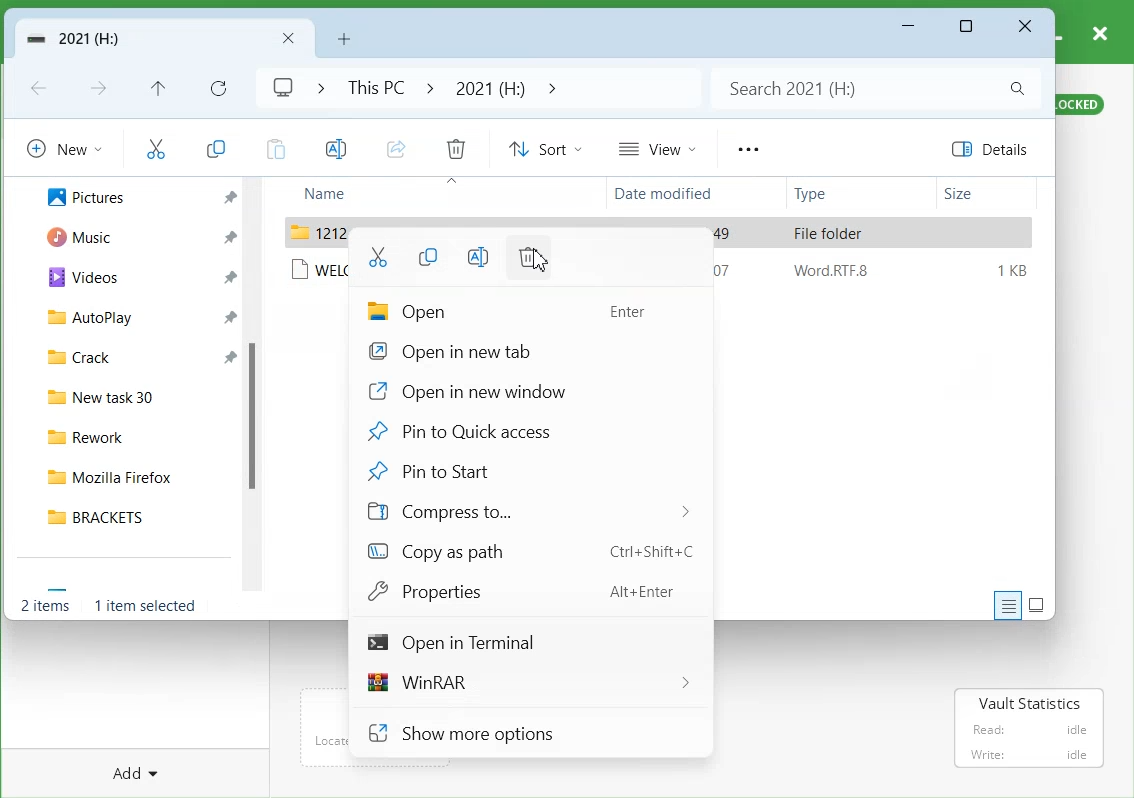 The height and width of the screenshot is (798, 1134). Describe the element at coordinates (456, 148) in the screenshot. I see `Delete` at that location.